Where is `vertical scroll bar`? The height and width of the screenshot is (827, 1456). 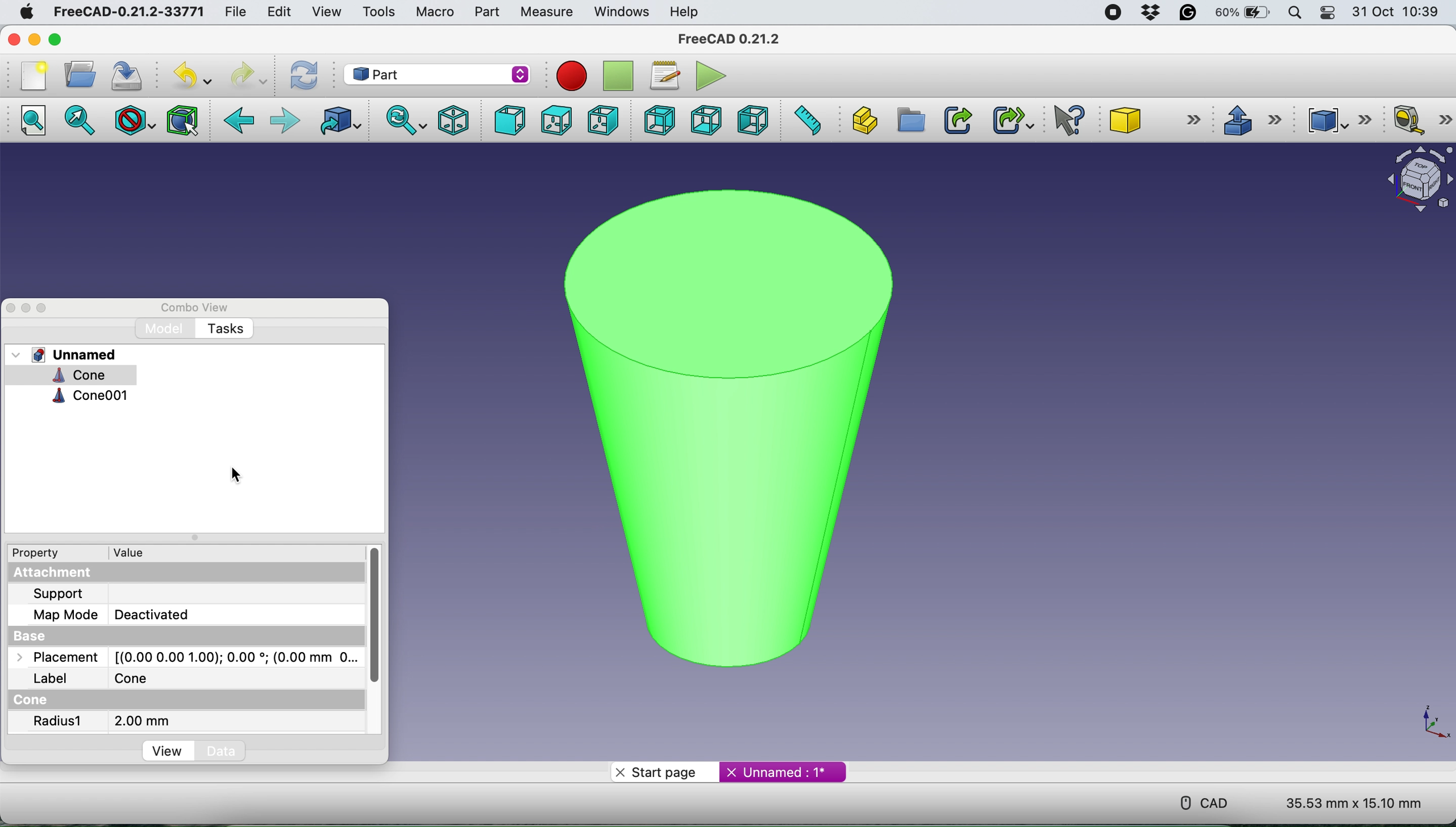 vertical scroll bar is located at coordinates (376, 620).